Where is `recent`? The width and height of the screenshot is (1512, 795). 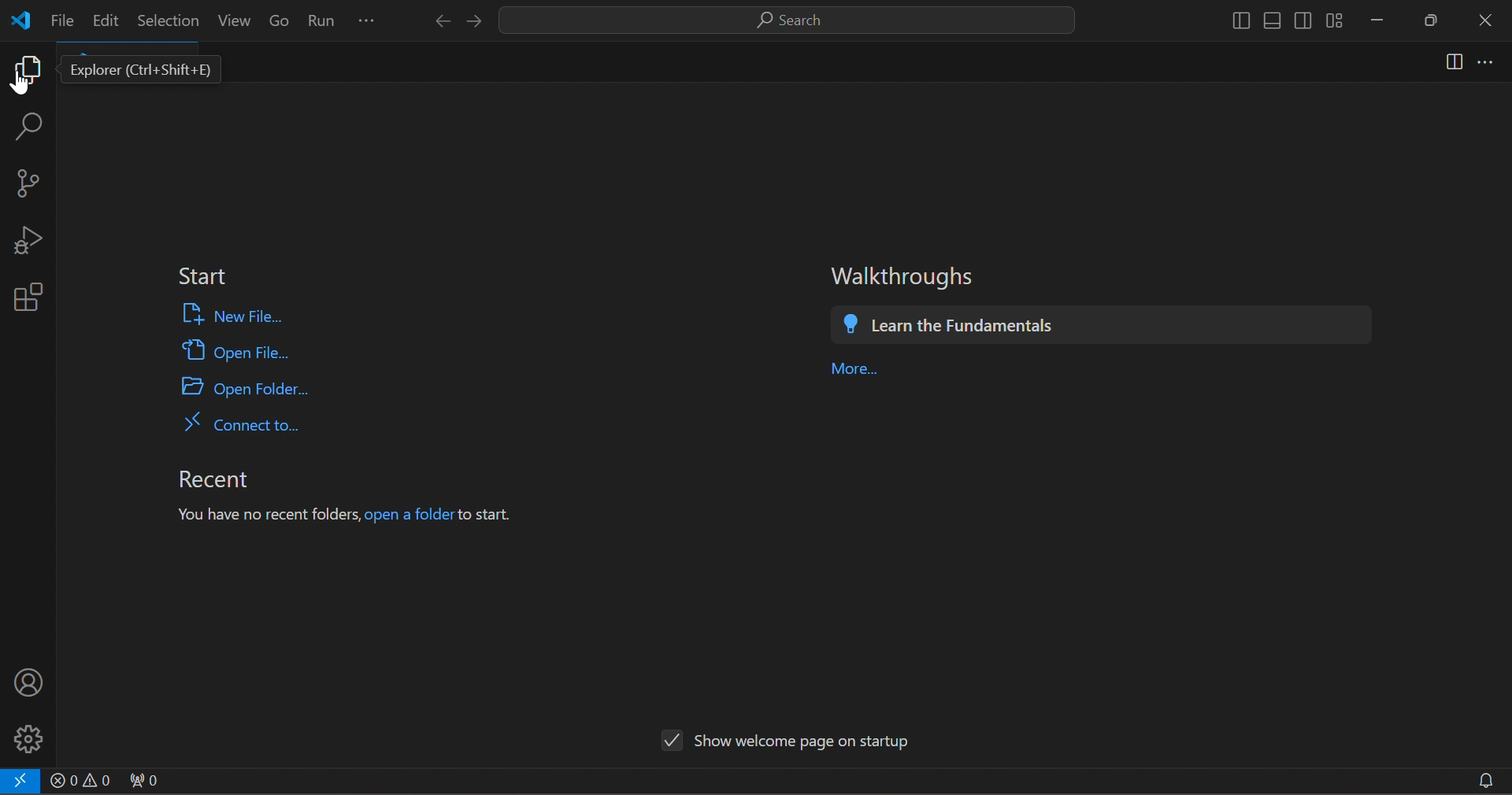 recent is located at coordinates (220, 480).